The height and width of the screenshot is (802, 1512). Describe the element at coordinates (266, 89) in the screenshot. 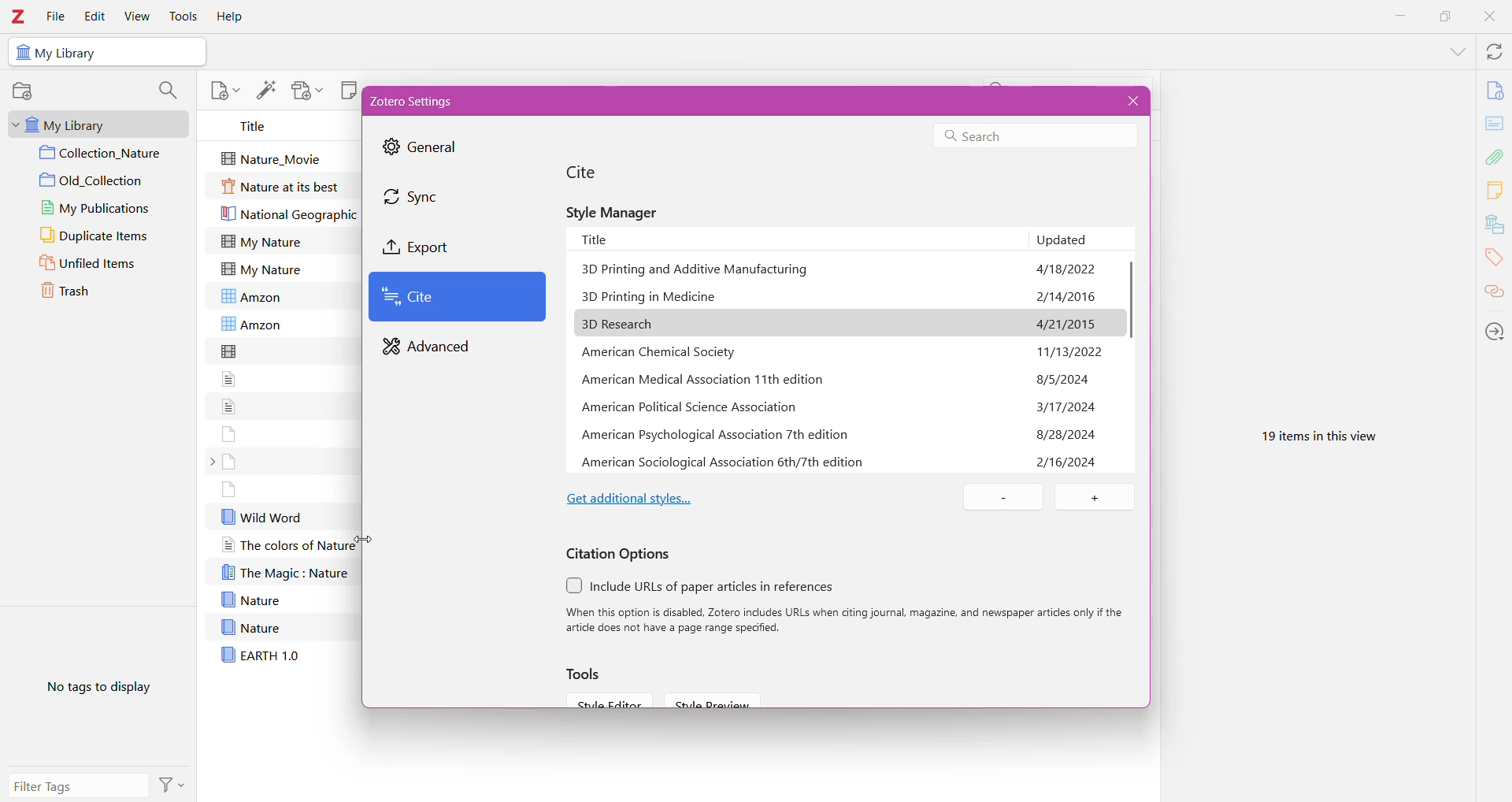

I see `Add Item(s) by Identifier` at that location.